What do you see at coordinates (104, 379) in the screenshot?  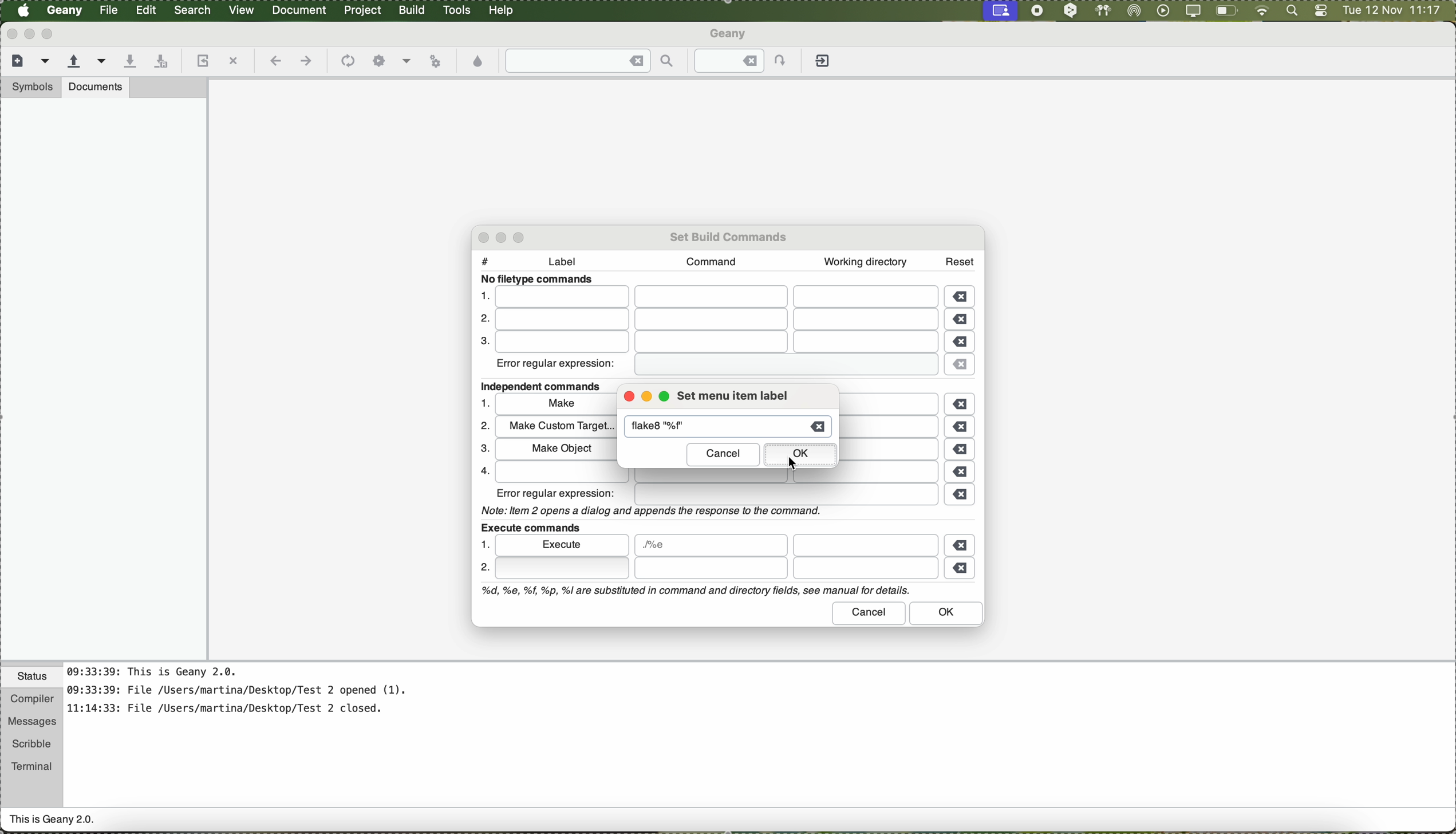 I see `sidebar` at bounding box center [104, 379].